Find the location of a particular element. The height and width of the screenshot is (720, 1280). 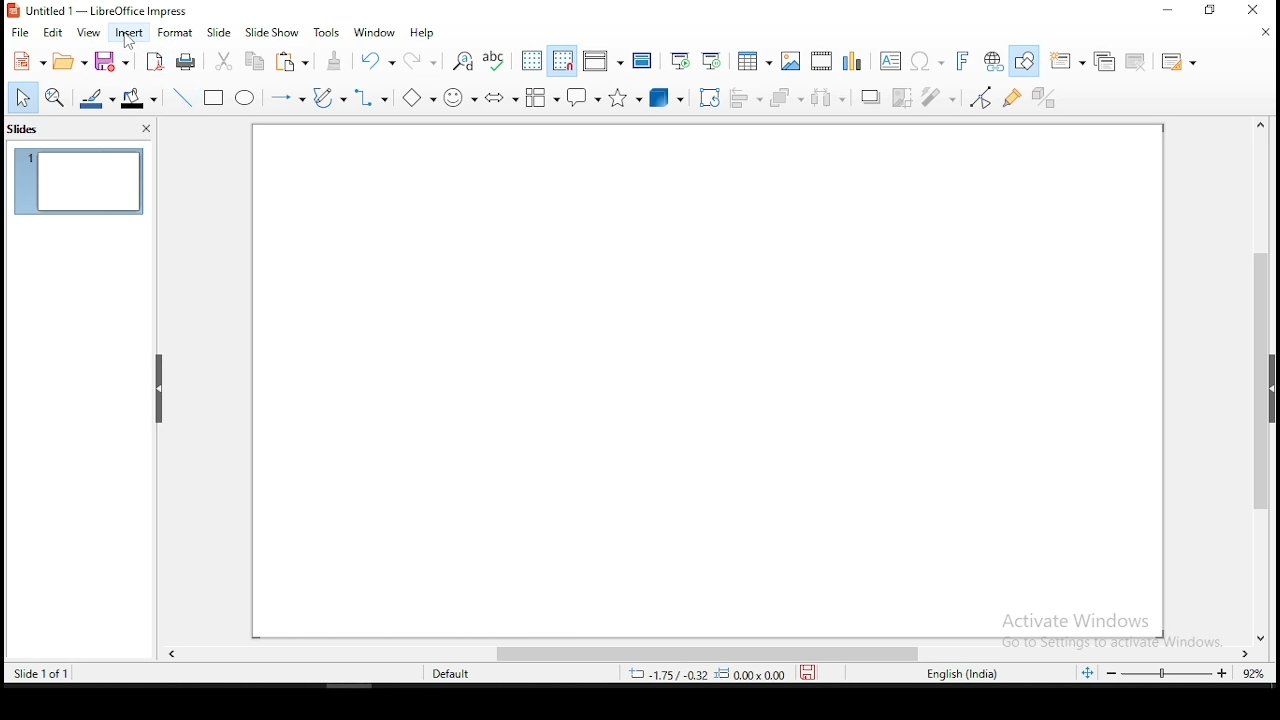

insert special characters is located at coordinates (927, 58).